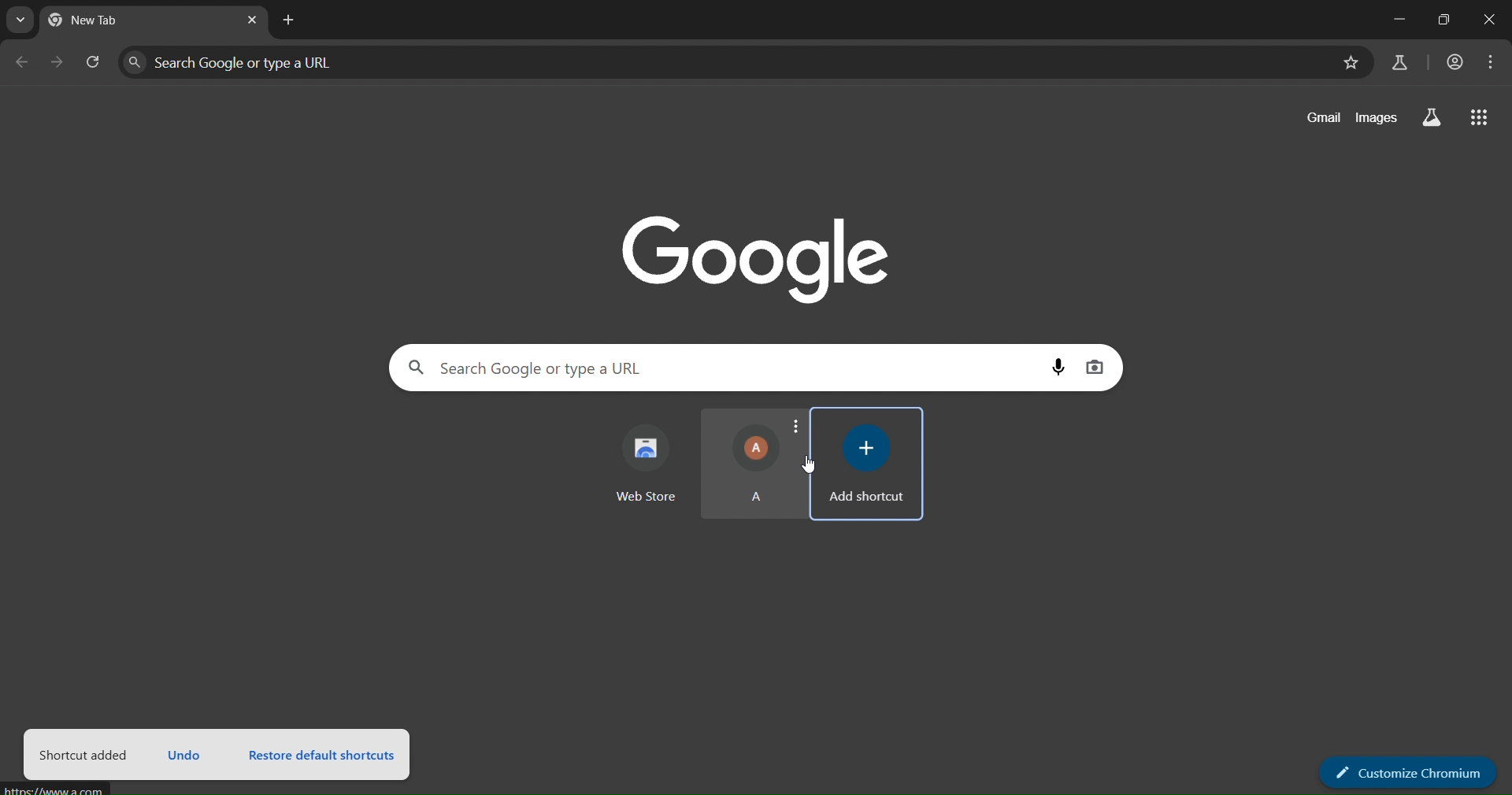  What do you see at coordinates (795, 423) in the screenshot?
I see `options` at bounding box center [795, 423].